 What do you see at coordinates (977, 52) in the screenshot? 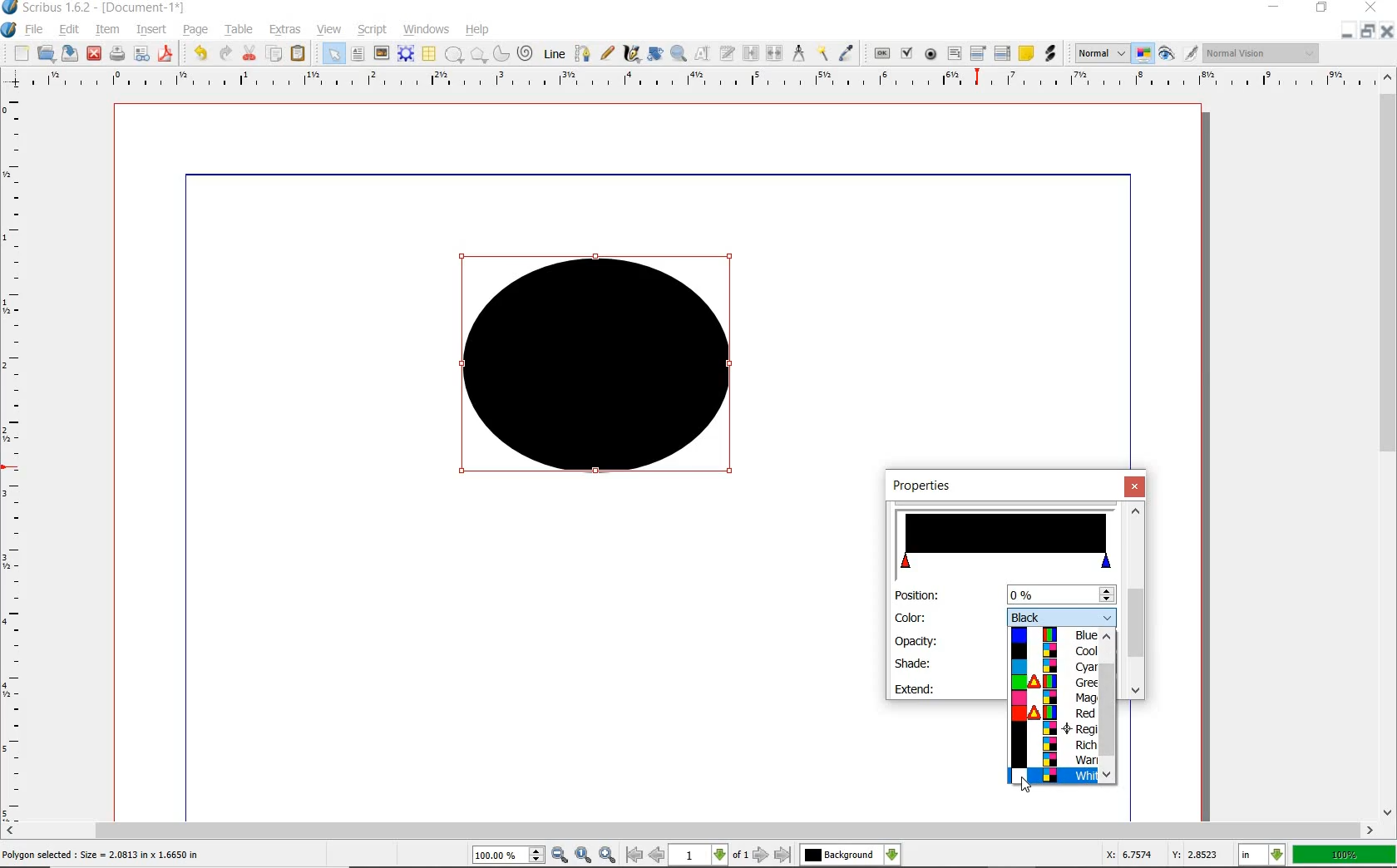
I see `PDF COMBO BOX` at bounding box center [977, 52].